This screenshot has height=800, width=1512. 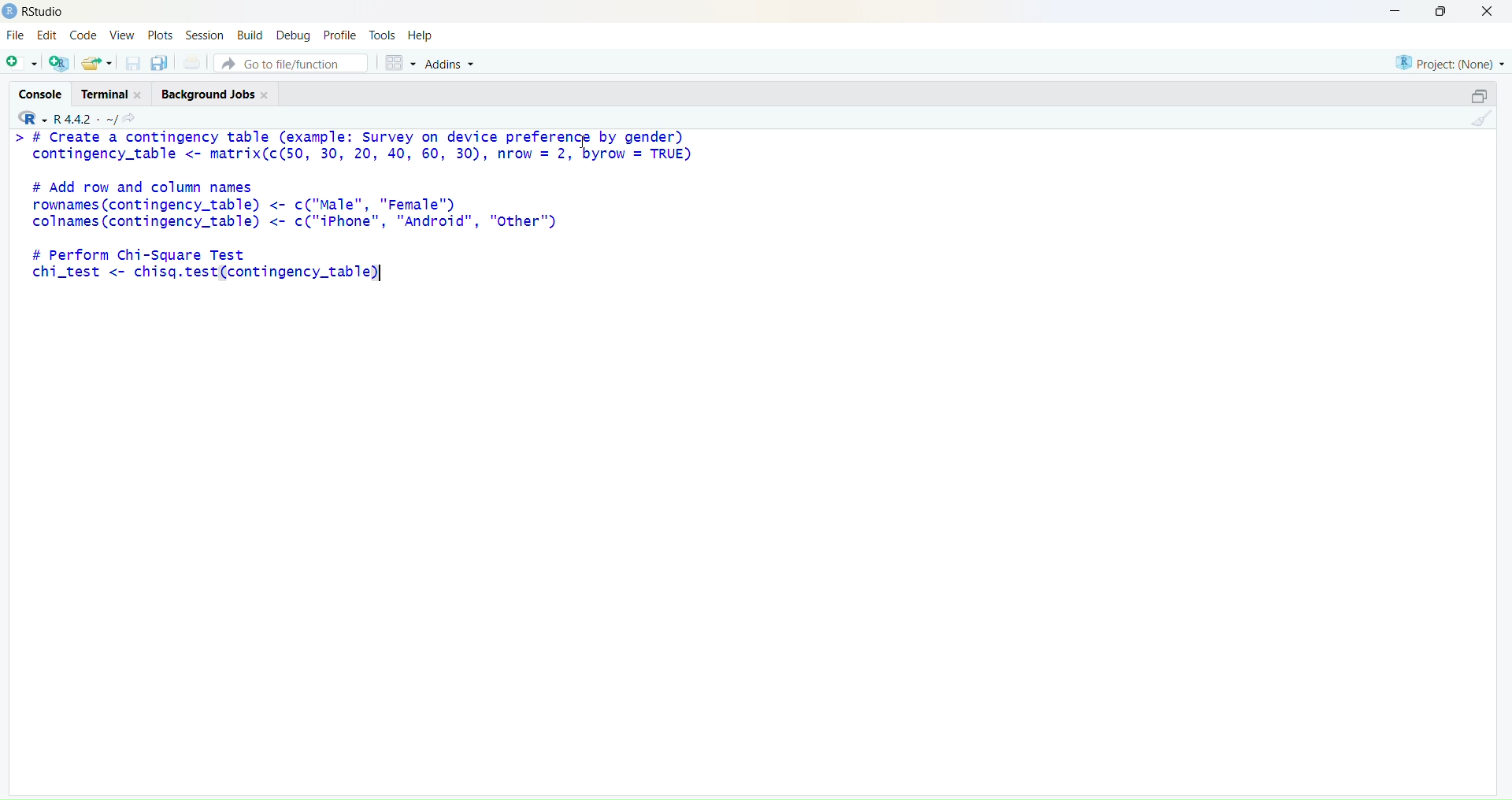 What do you see at coordinates (354, 147) in the screenshot?
I see `> # Create a contingency table (example: Survey on device preference by gender)
contingency_table <- matrix(c(50, 30, 20, 40, 60, 30), nrow = 2, byrow = TRUE)` at bounding box center [354, 147].